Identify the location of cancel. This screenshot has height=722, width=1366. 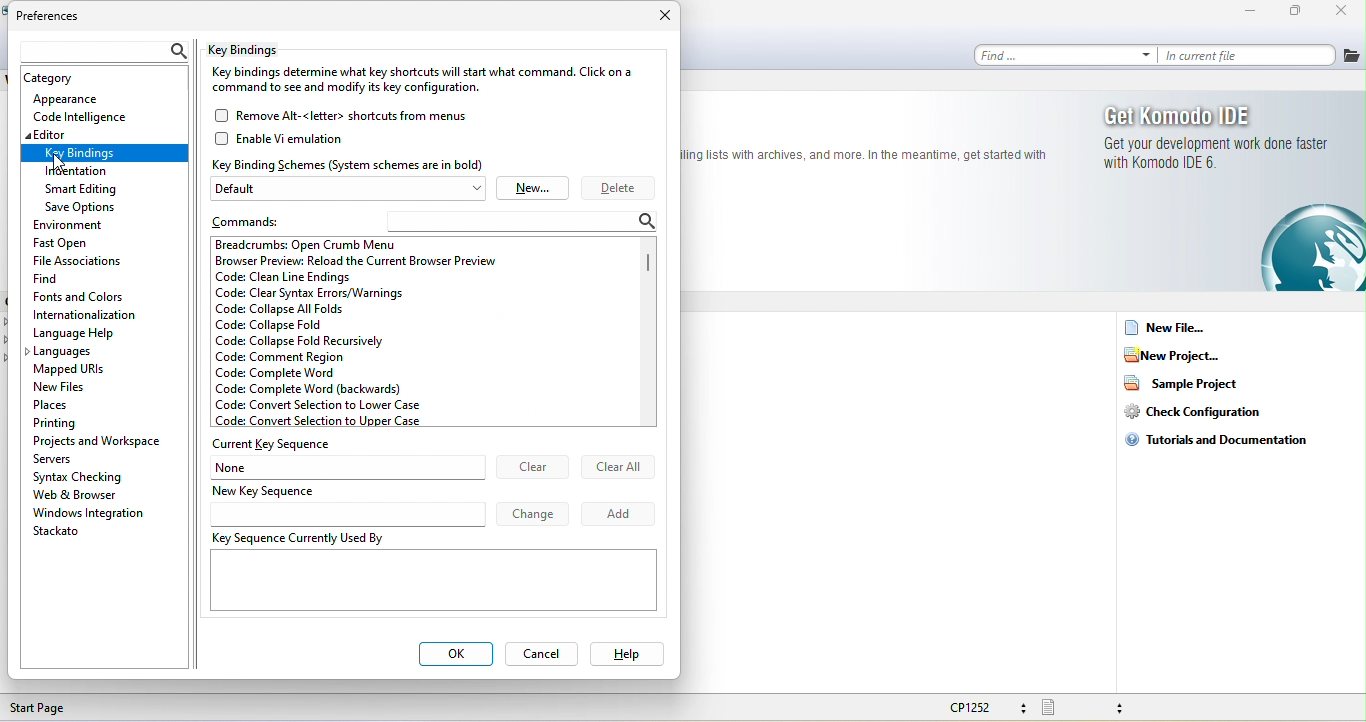
(541, 653).